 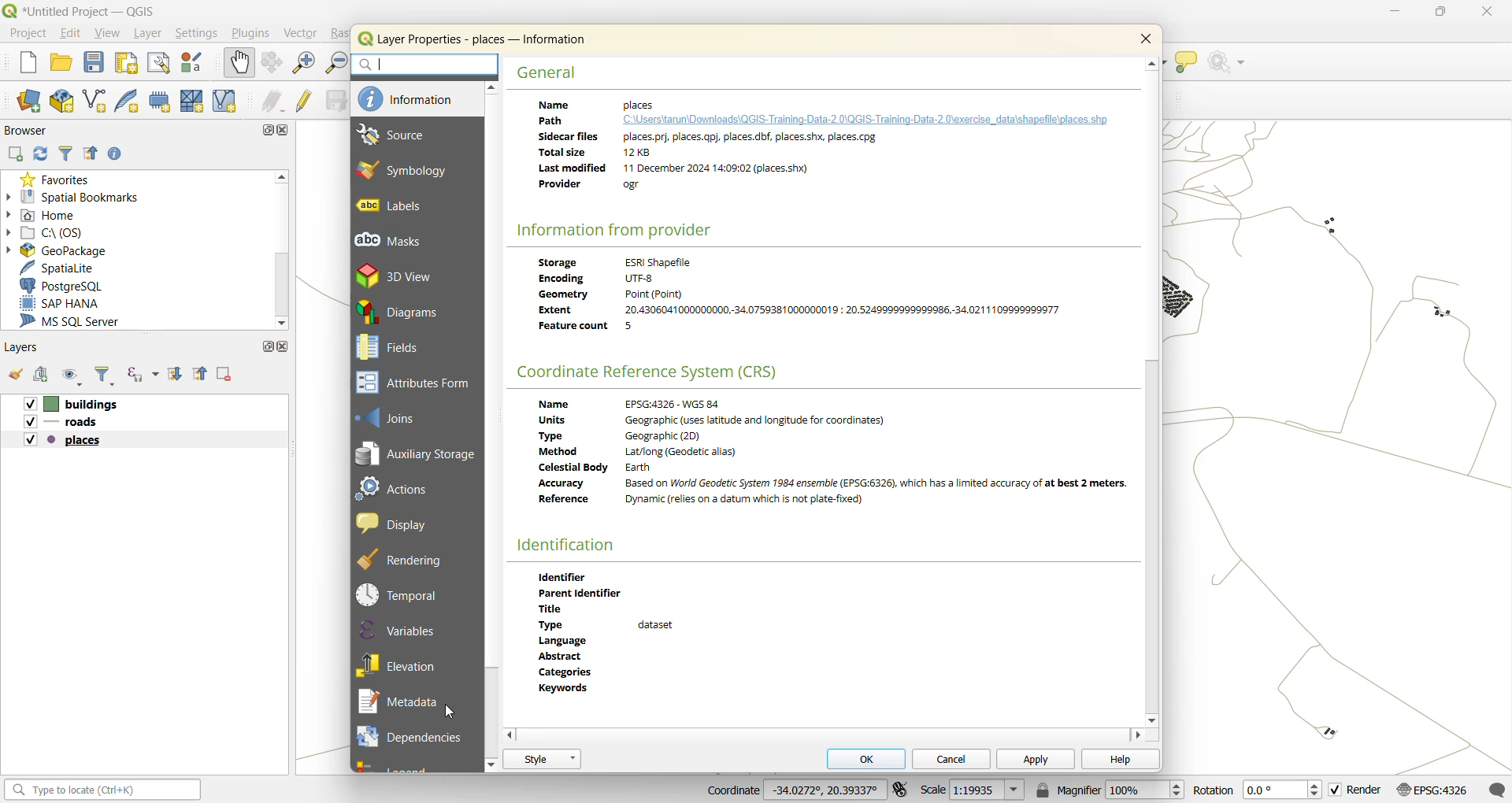 What do you see at coordinates (391, 524) in the screenshot?
I see `display` at bounding box center [391, 524].